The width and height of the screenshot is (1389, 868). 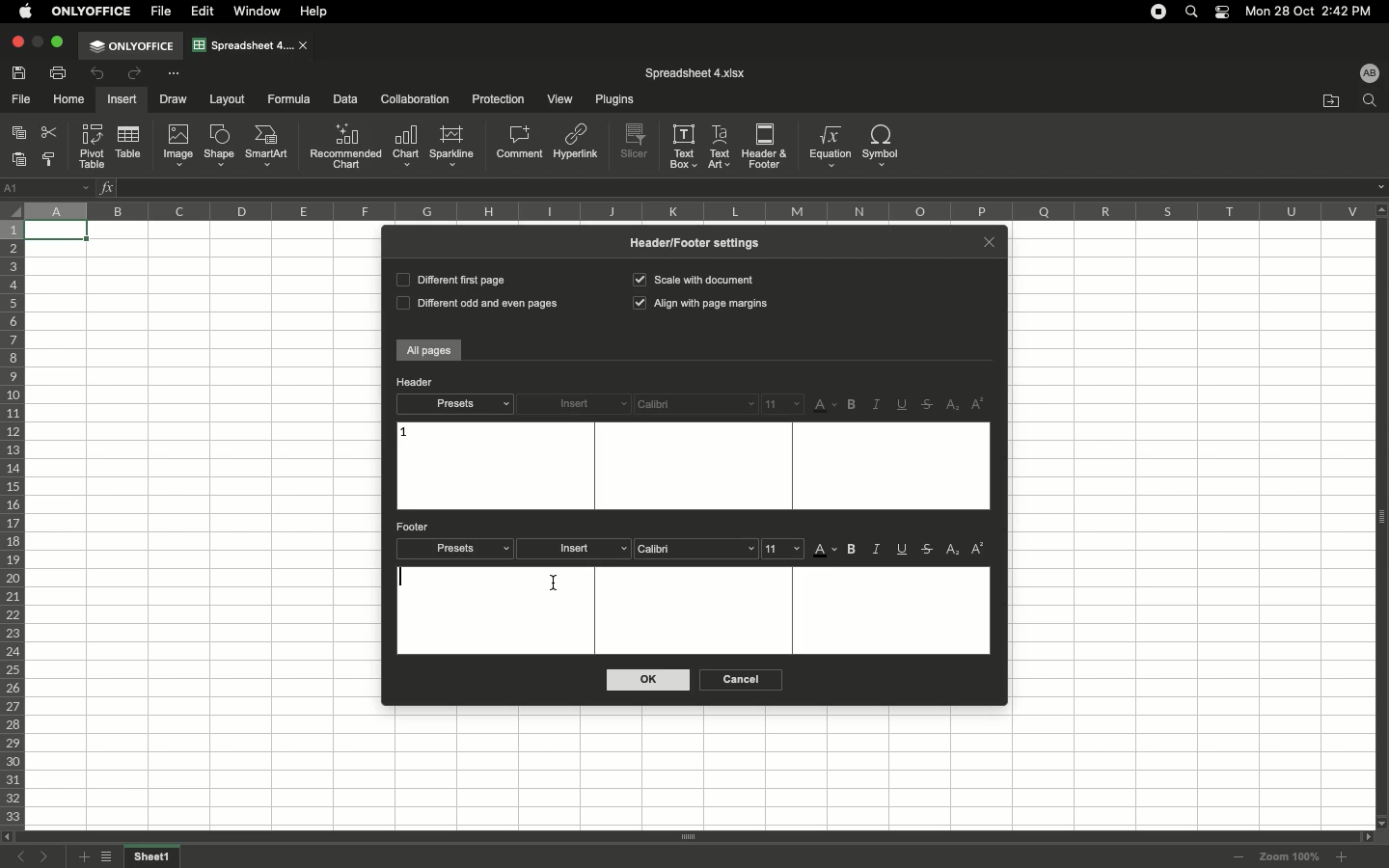 I want to click on Sparkline, so click(x=451, y=146).